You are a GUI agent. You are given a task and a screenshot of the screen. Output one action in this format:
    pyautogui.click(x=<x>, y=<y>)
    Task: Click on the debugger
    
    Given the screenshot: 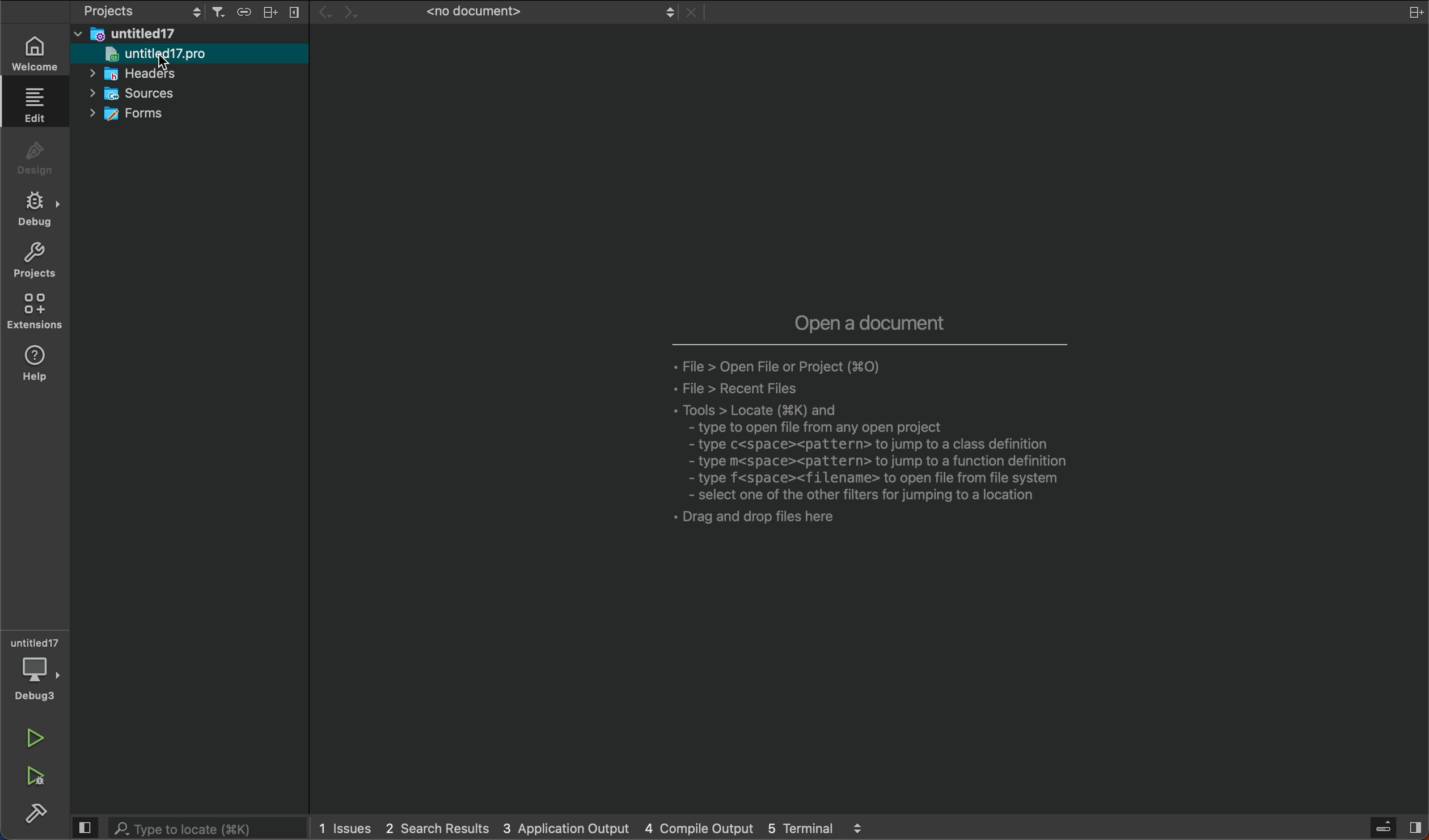 What is the action you would take?
    pyautogui.click(x=38, y=667)
    